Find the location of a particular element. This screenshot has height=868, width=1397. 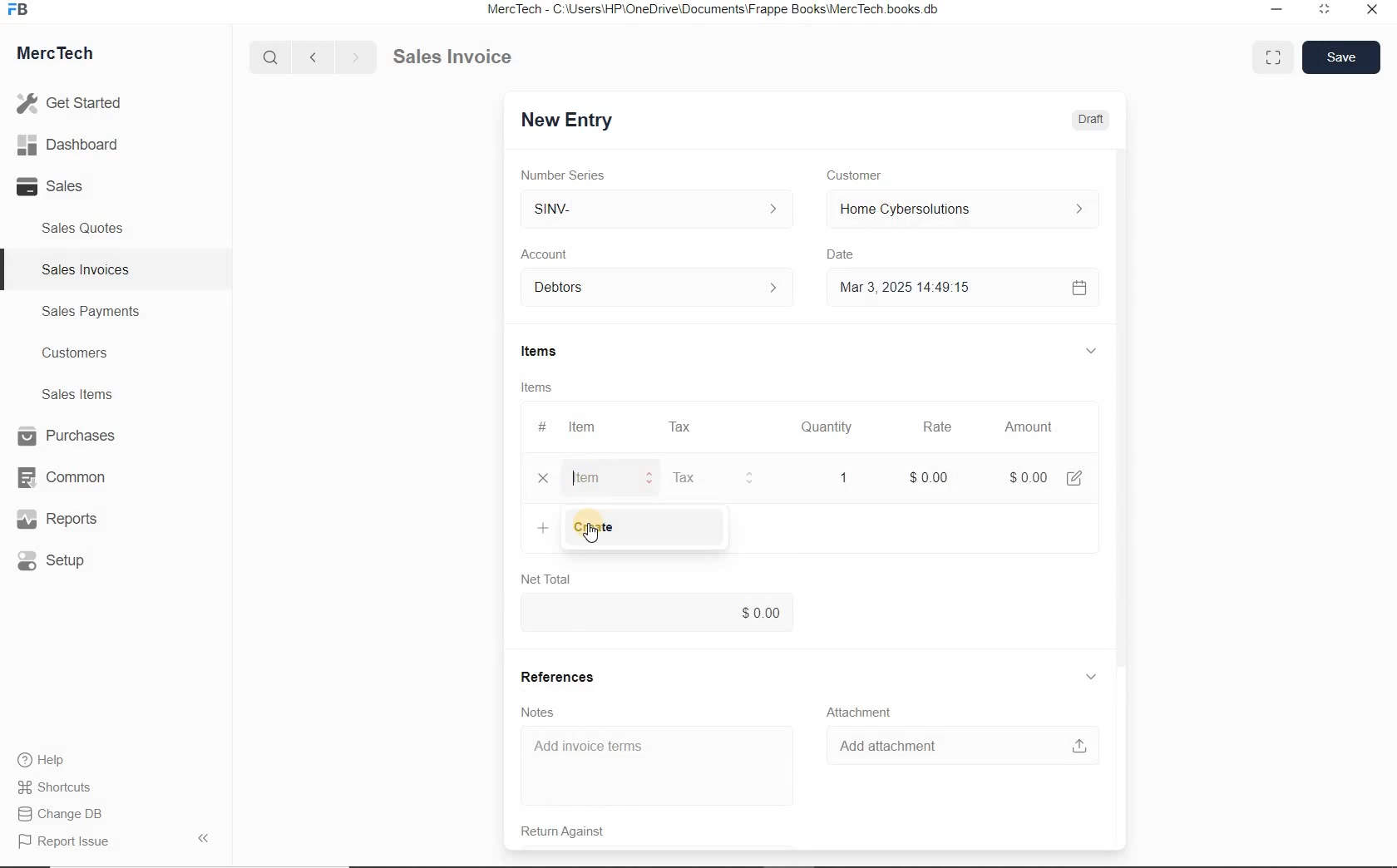

# is located at coordinates (540, 427).